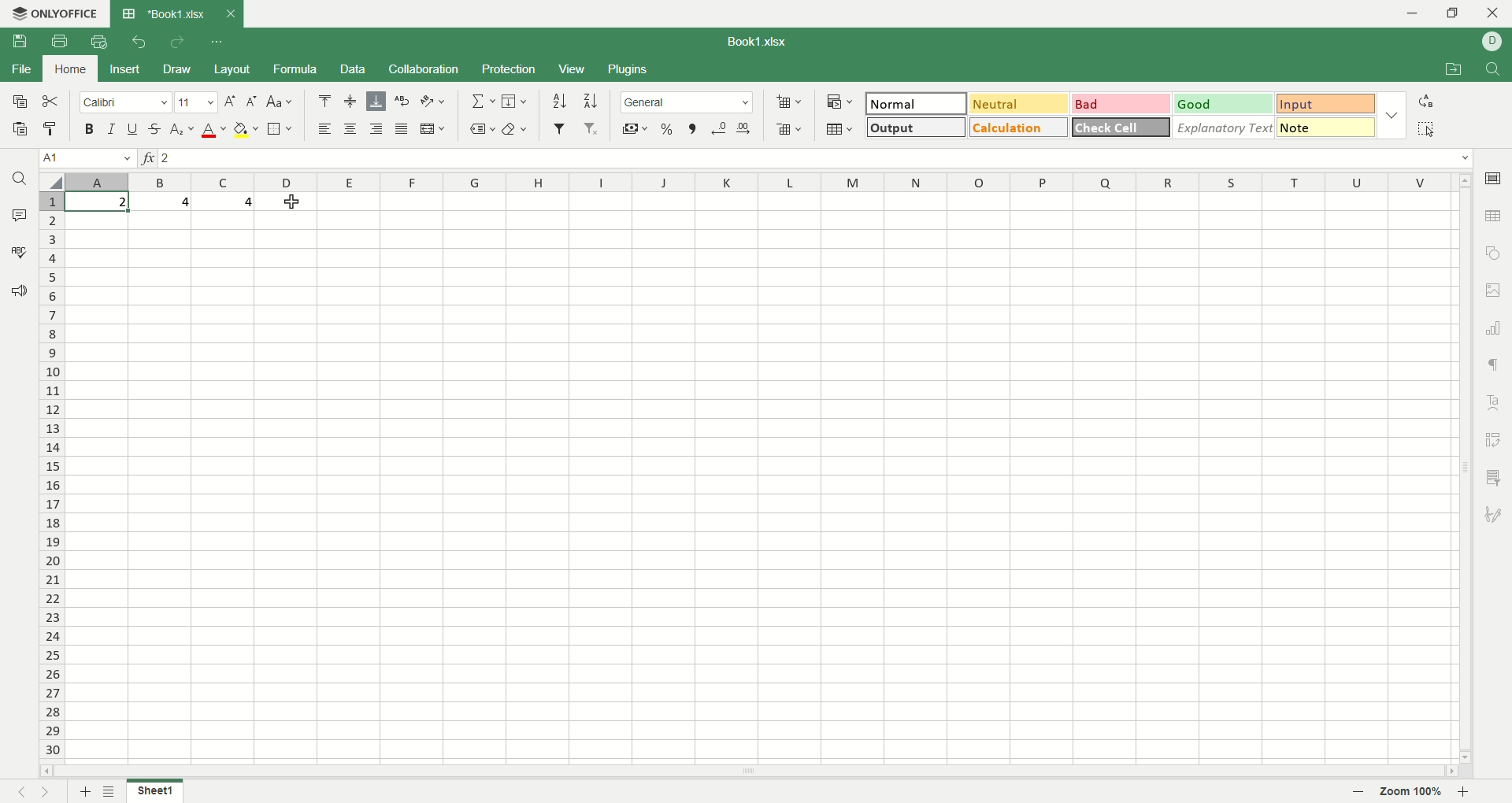  What do you see at coordinates (84, 158) in the screenshot?
I see `cell name` at bounding box center [84, 158].